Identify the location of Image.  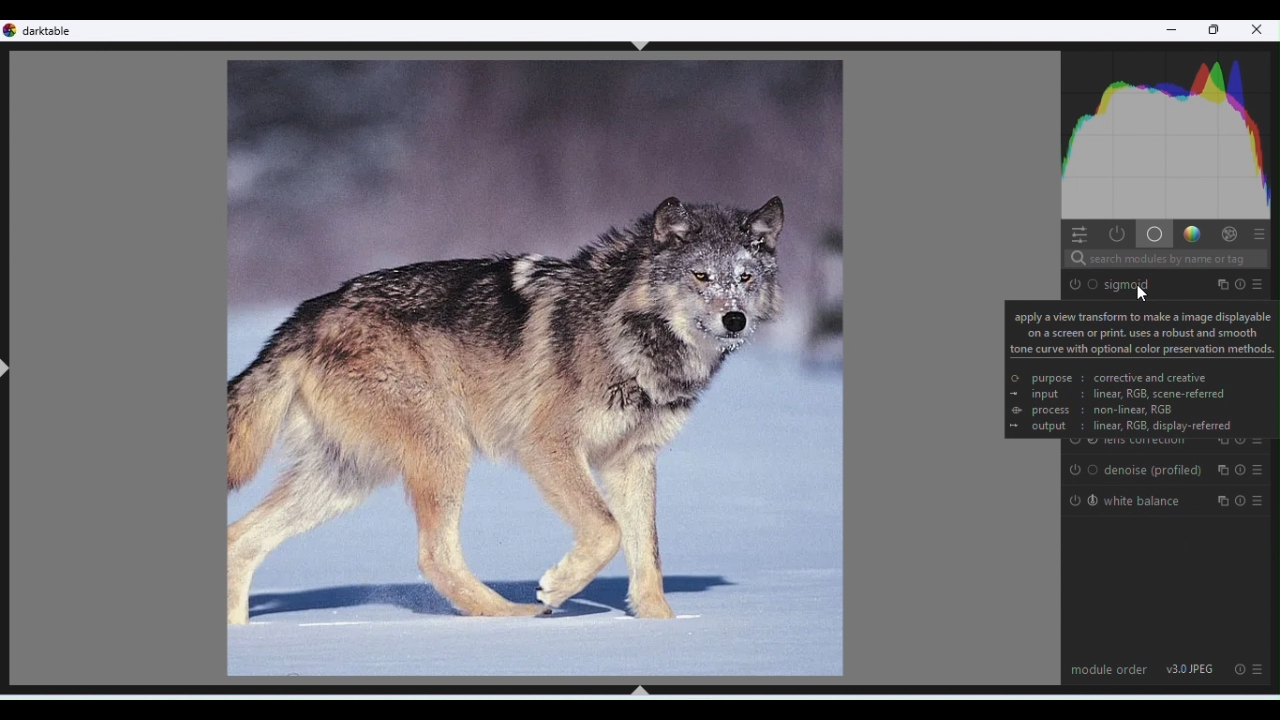
(531, 368).